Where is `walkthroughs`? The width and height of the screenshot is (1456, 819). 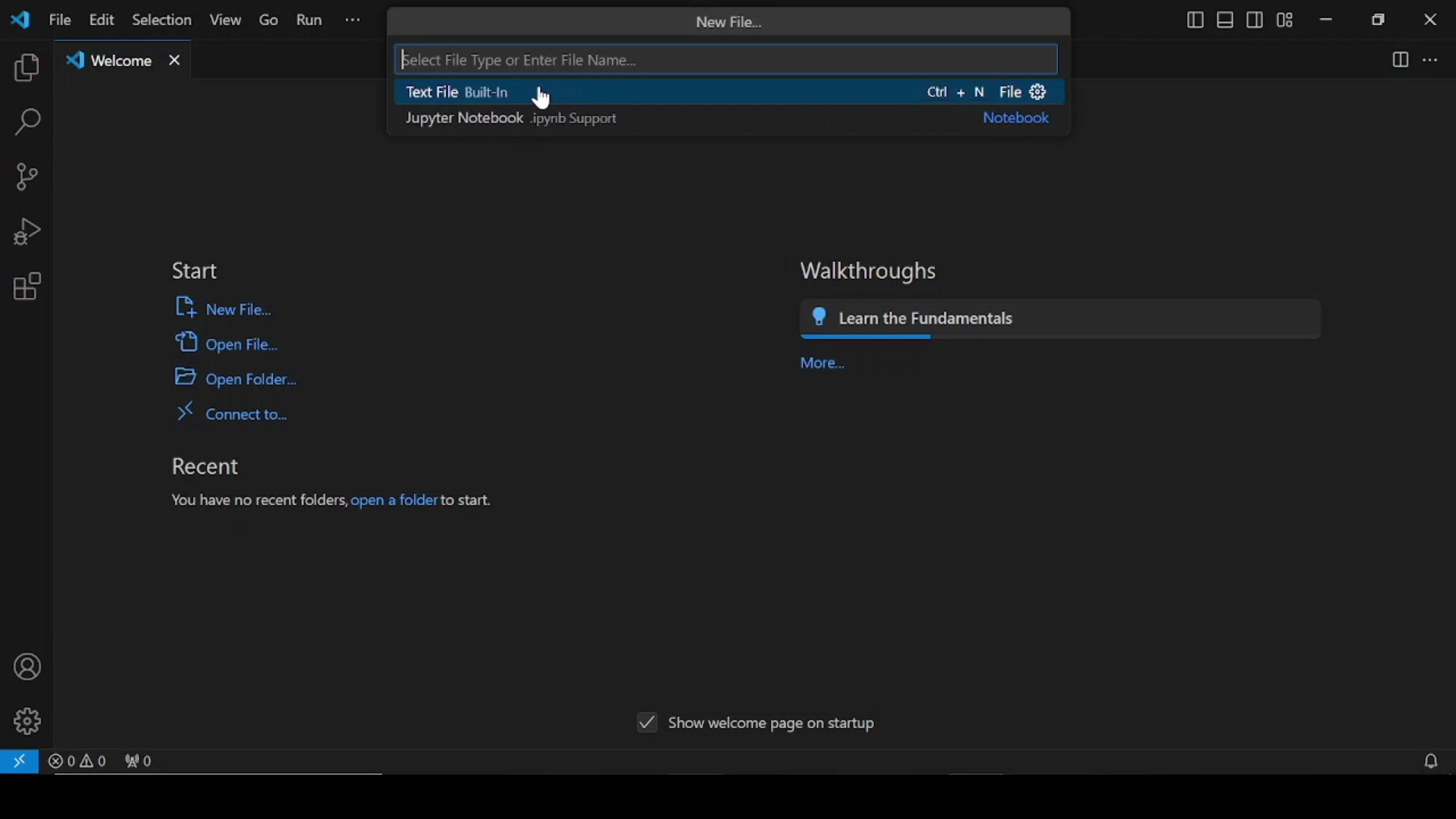 walkthroughs is located at coordinates (871, 272).